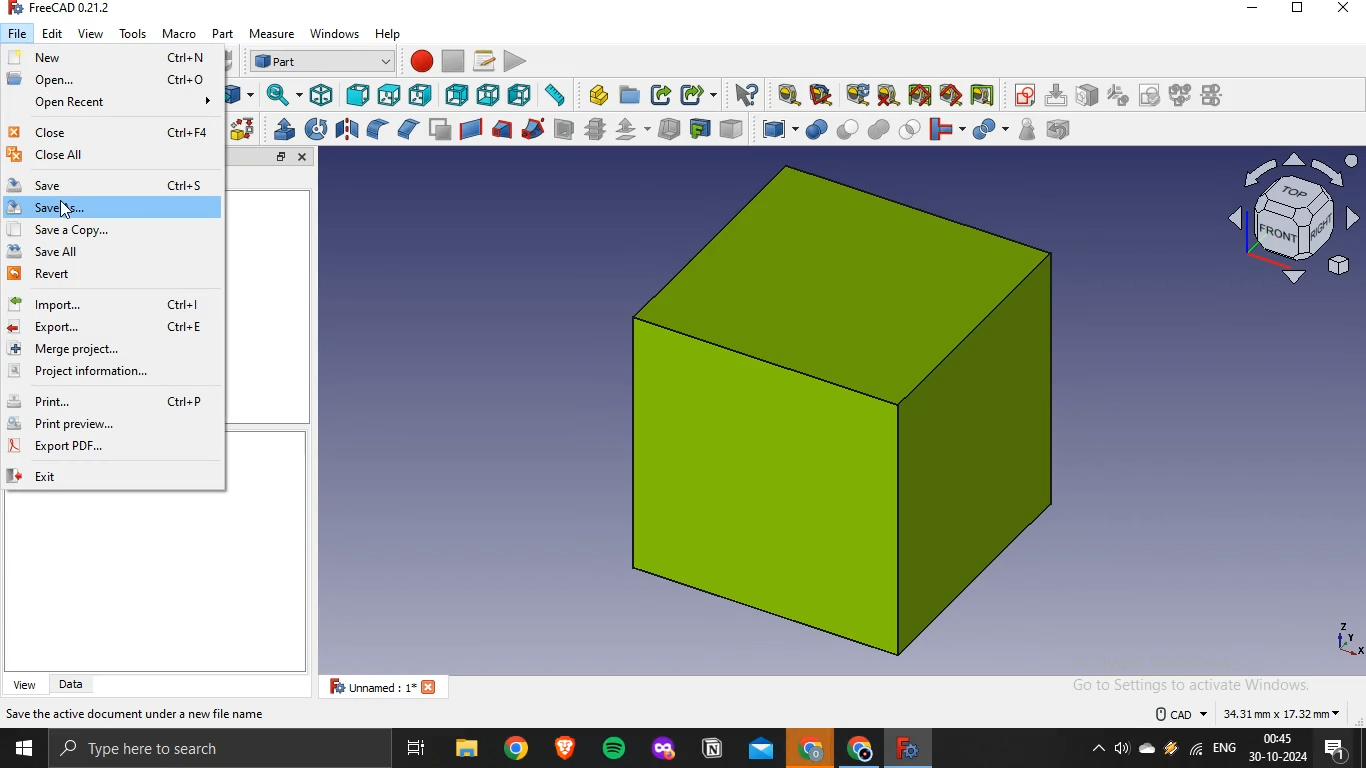 Image resolution: width=1366 pixels, height=768 pixels. I want to click on type here to search, so click(201, 749).